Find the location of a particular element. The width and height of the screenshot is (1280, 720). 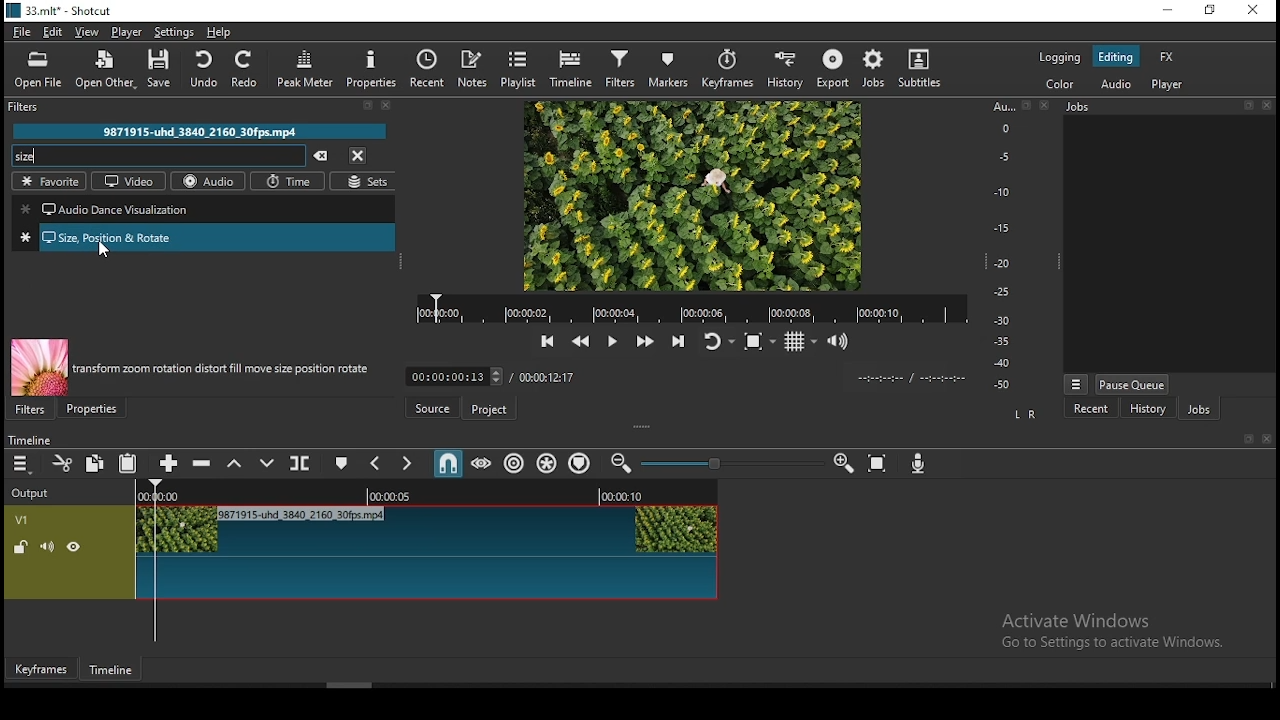

notes is located at coordinates (476, 65).